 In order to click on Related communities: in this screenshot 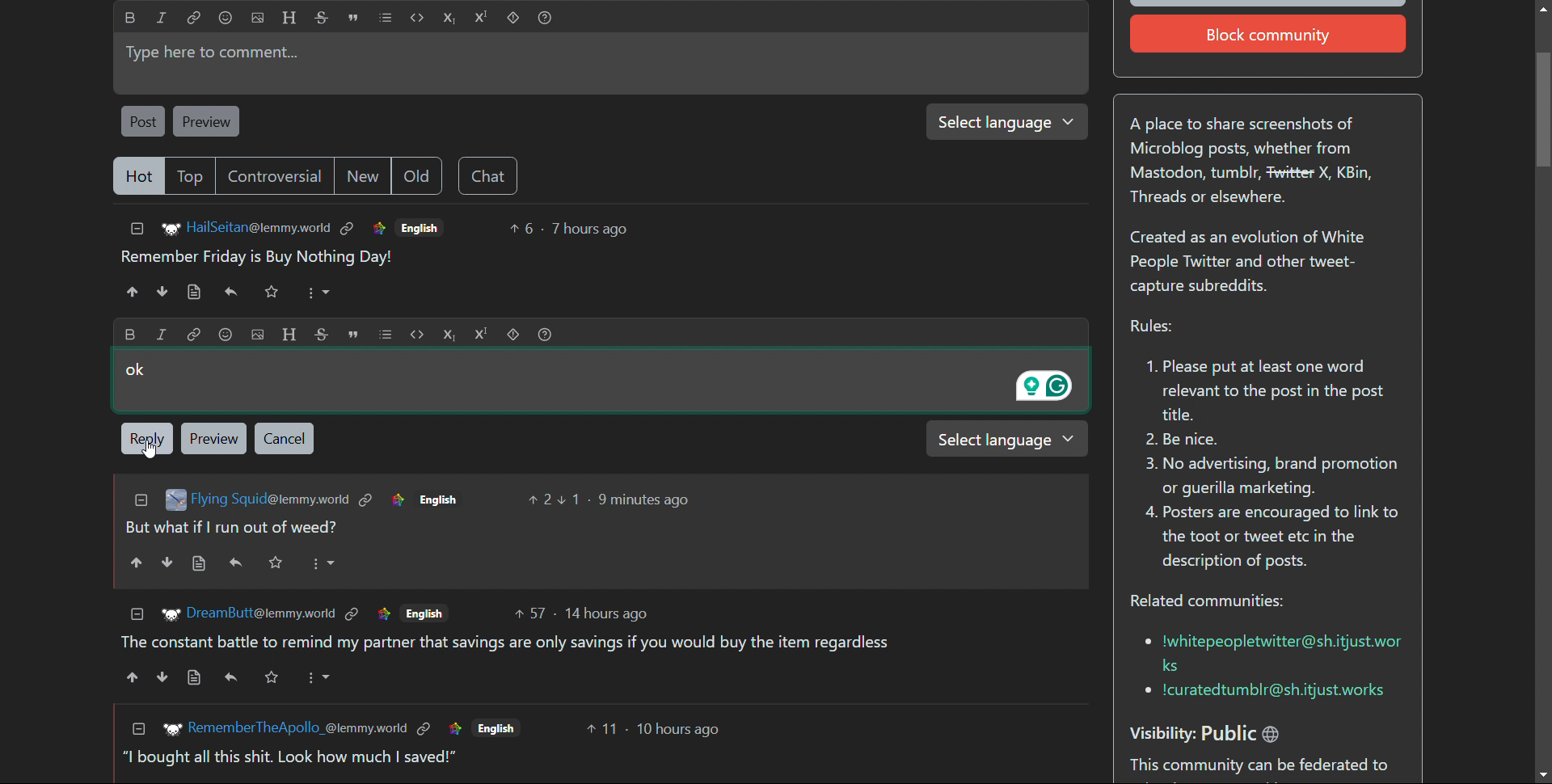, I will do `click(1217, 602)`.